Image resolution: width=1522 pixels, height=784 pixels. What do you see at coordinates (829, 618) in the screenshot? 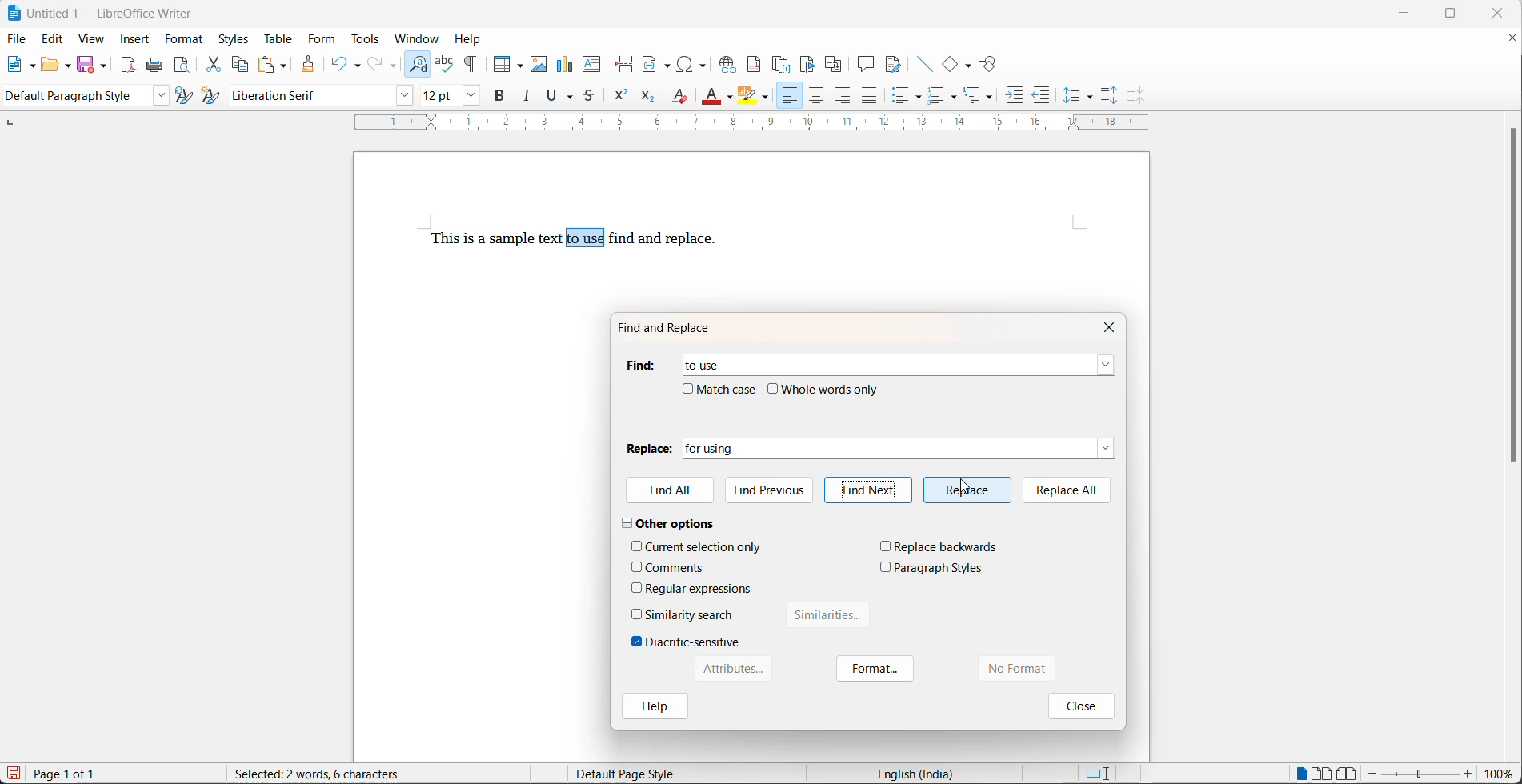
I see `similarities button` at bounding box center [829, 618].